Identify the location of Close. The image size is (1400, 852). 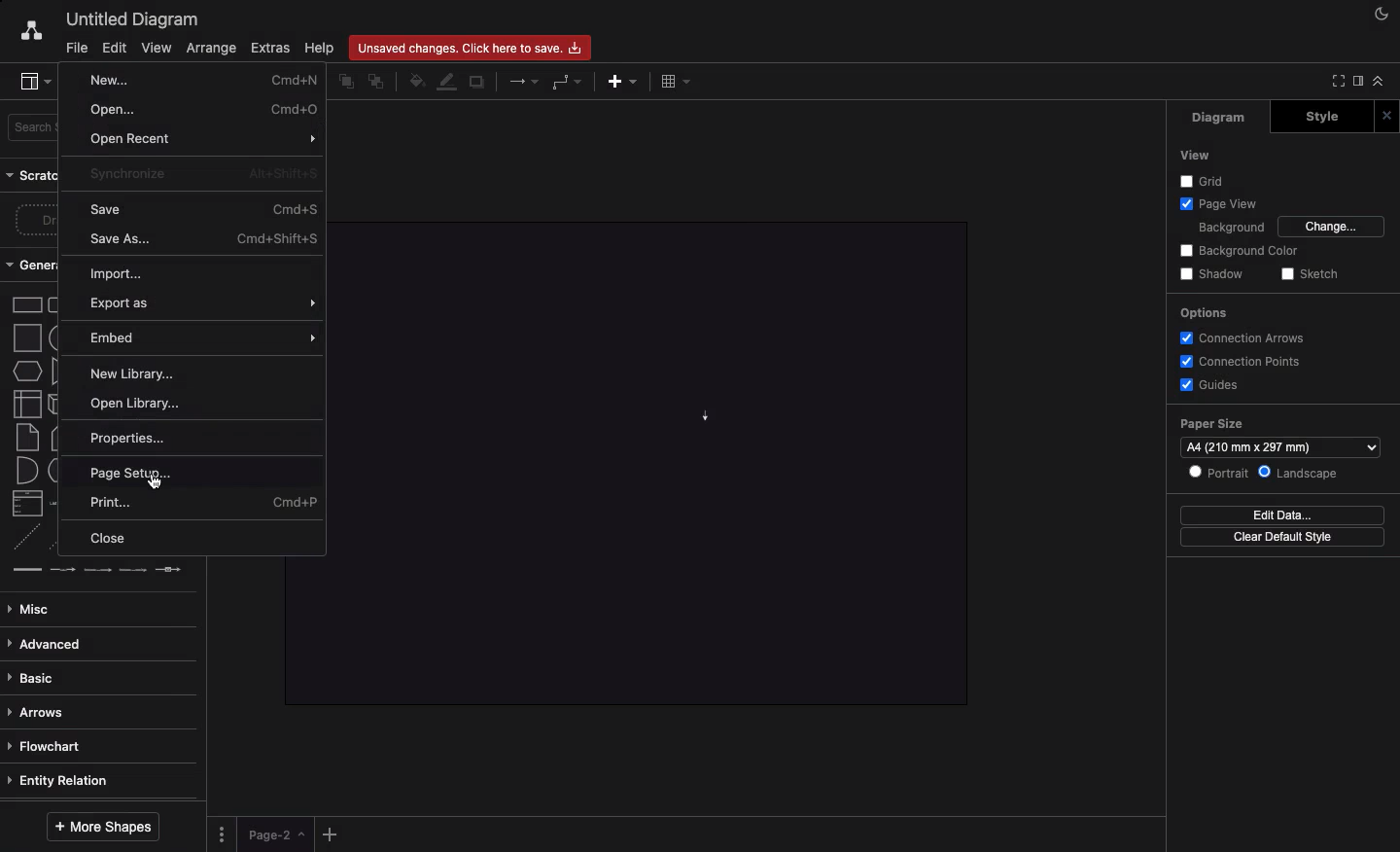
(115, 540).